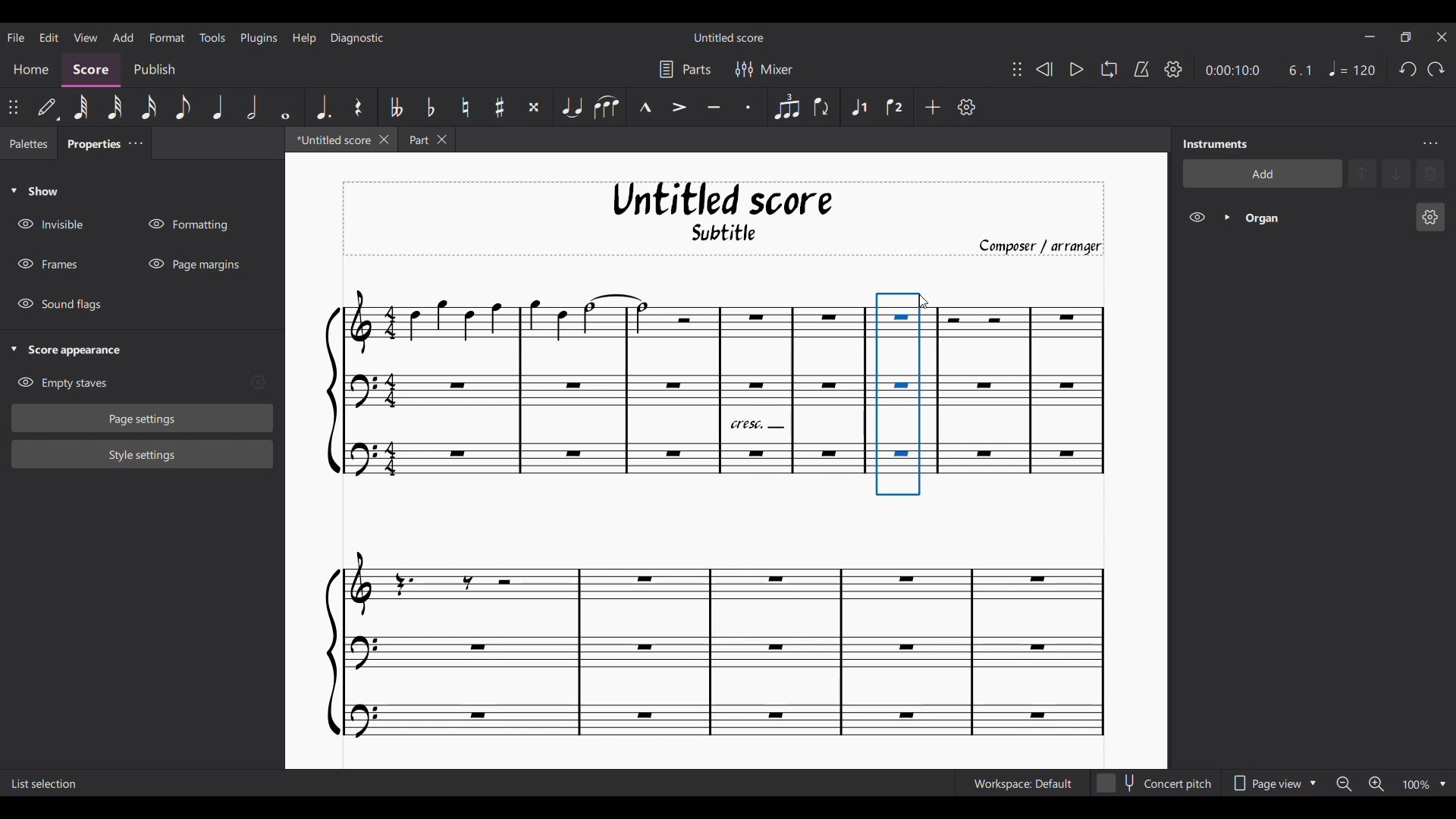 Image resolution: width=1456 pixels, height=819 pixels. Describe the element at coordinates (166, 37) in the screenshot. I see `Format menu` at that location.